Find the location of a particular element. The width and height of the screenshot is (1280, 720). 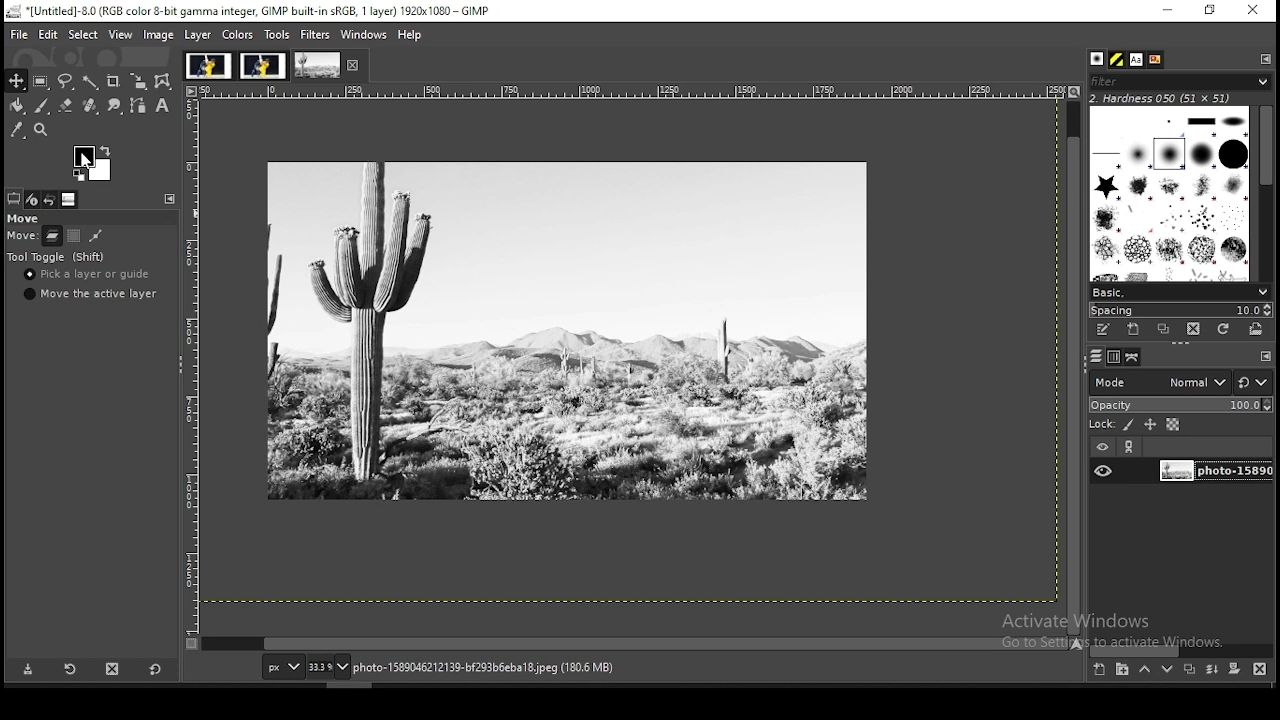

patterns is located at coordinates (1118, 59).